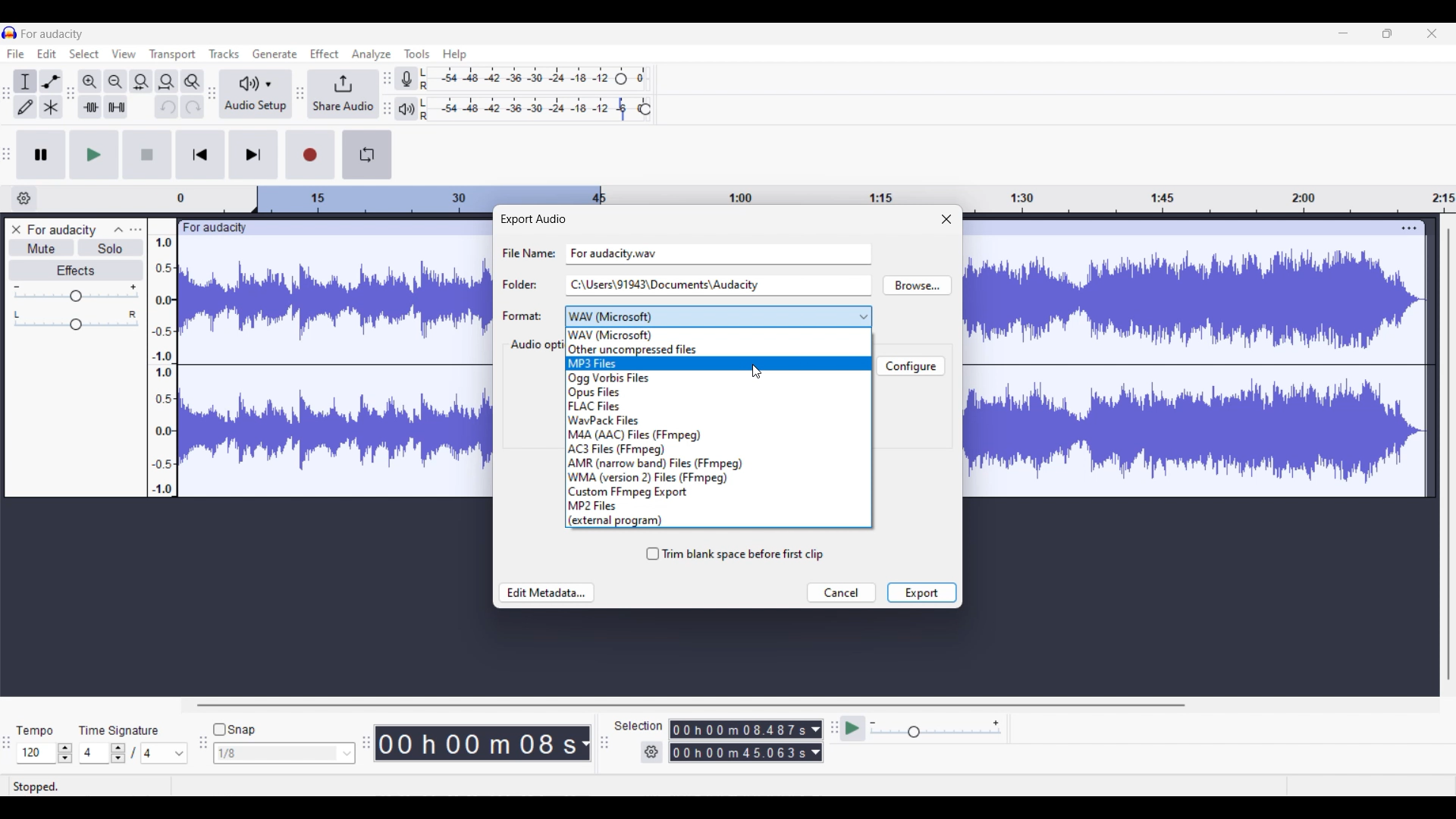 This screenshot has height=819, width=1456. Describe the element at coordinates (63, 230) in the screenshot. I see `Track name - For audacity` at that location.